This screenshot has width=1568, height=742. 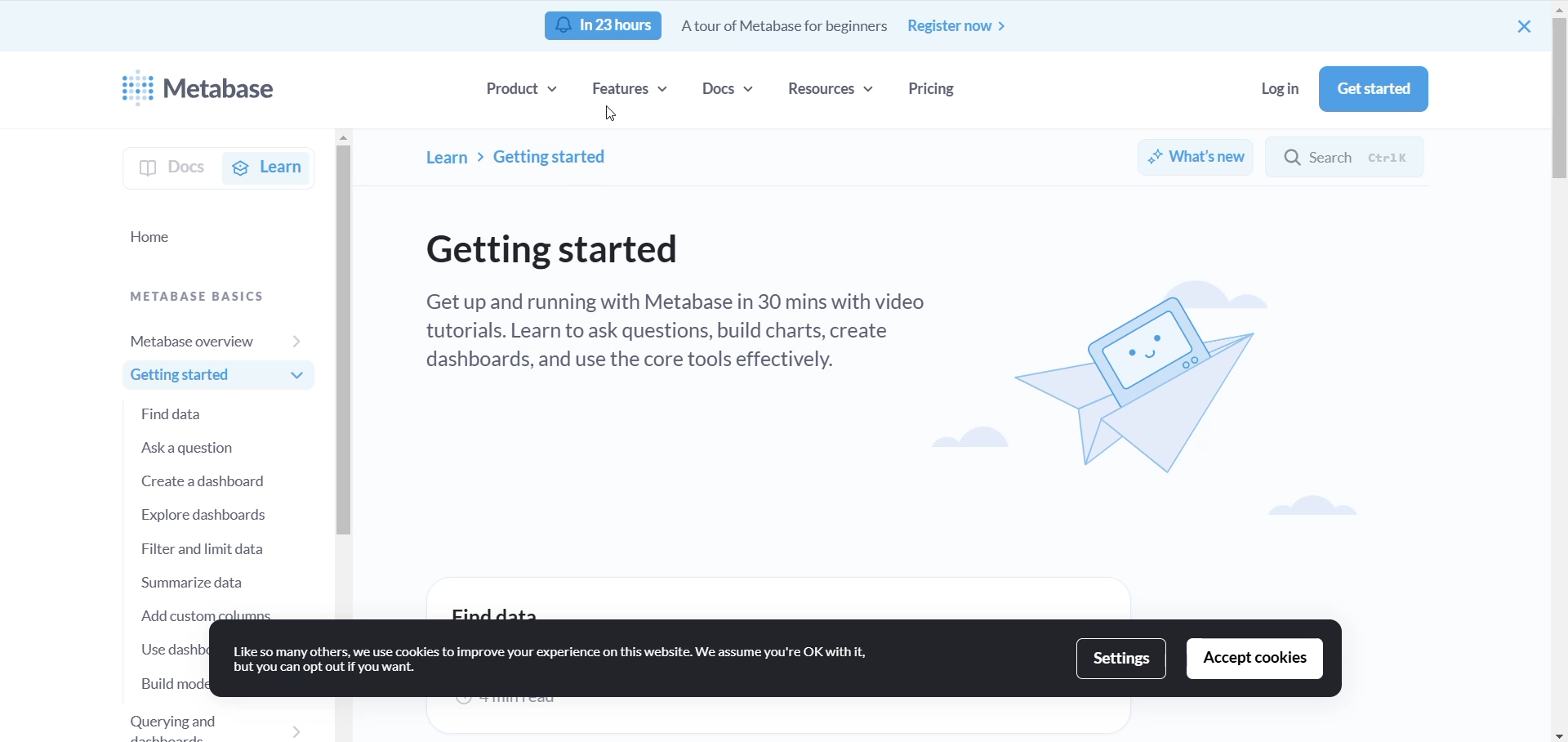 I want to click on register now button, so click(x=959, y=26).